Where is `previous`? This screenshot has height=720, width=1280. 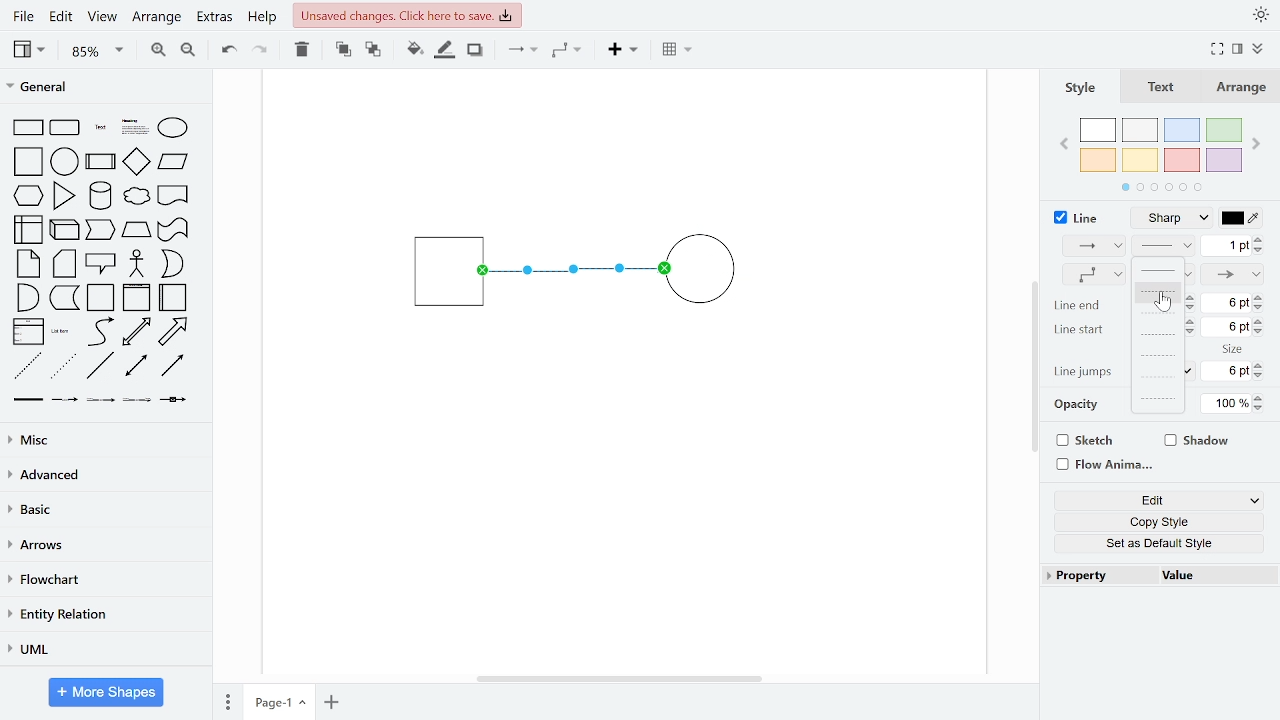 previous is located at coordinates (1066, 146).